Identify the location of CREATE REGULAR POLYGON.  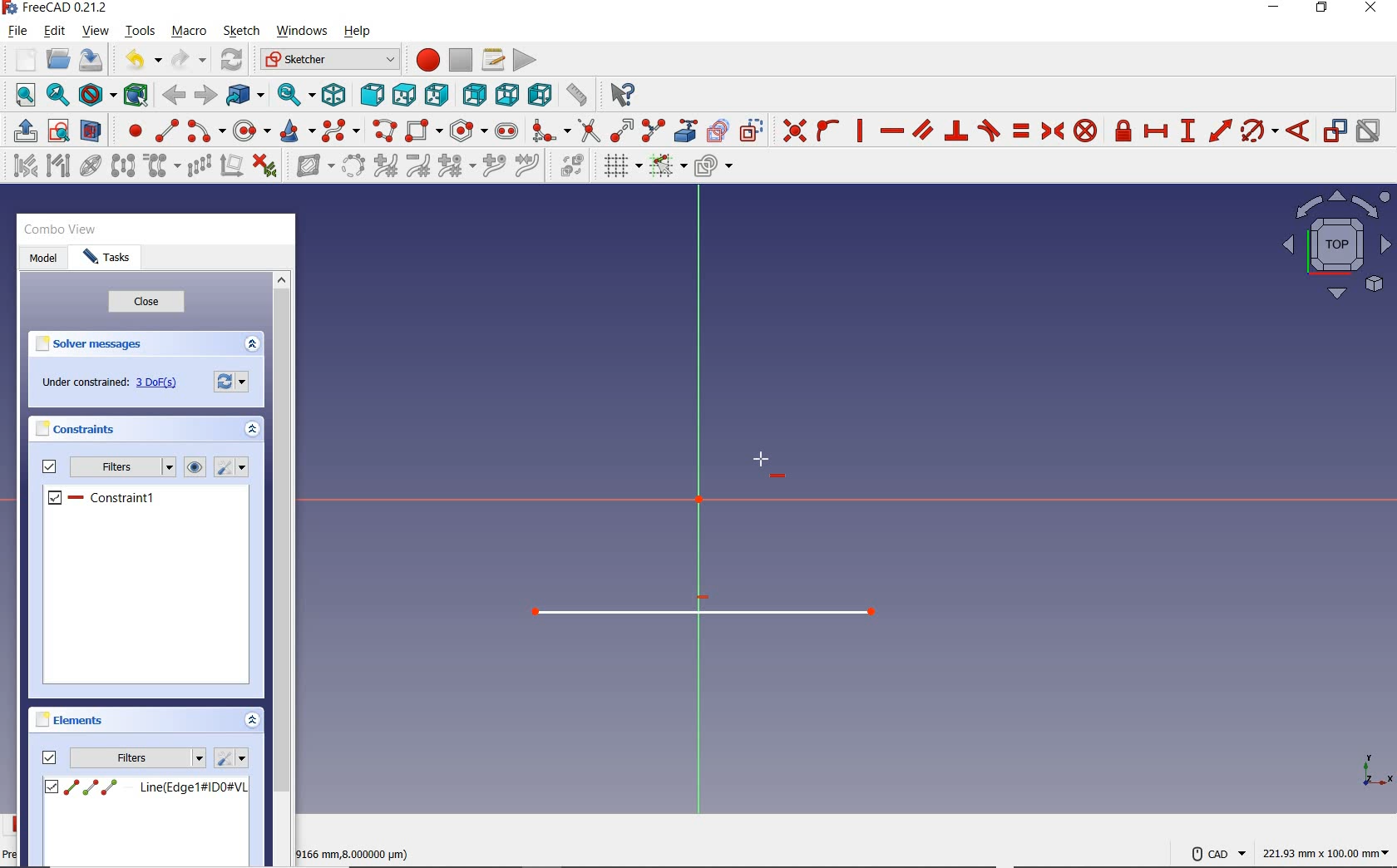
(468, 131).